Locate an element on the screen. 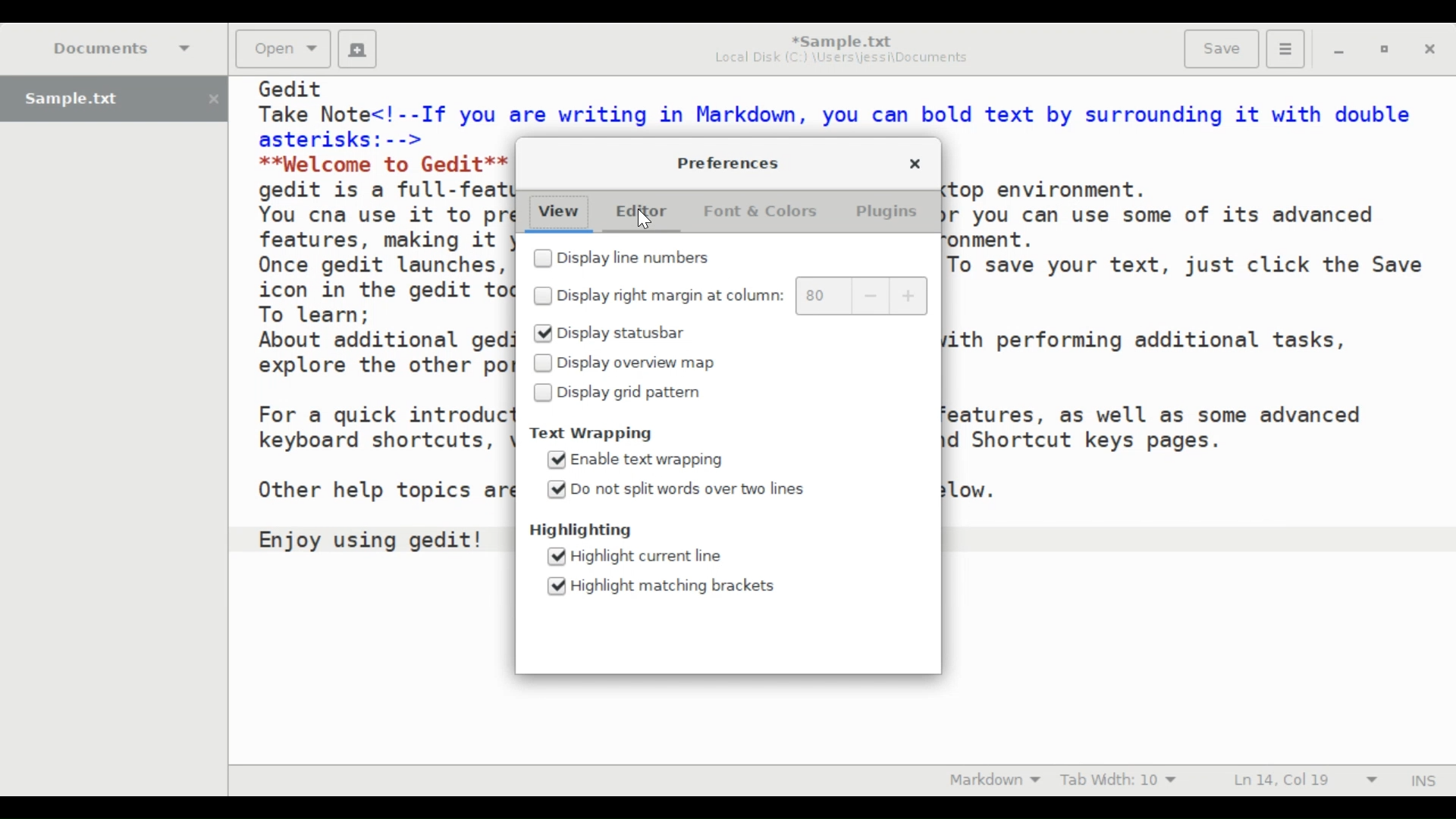 Image resolution: width=1456 pixels, height=819 pixels. (un)select Display overview map is located at coordinates (626, 364).